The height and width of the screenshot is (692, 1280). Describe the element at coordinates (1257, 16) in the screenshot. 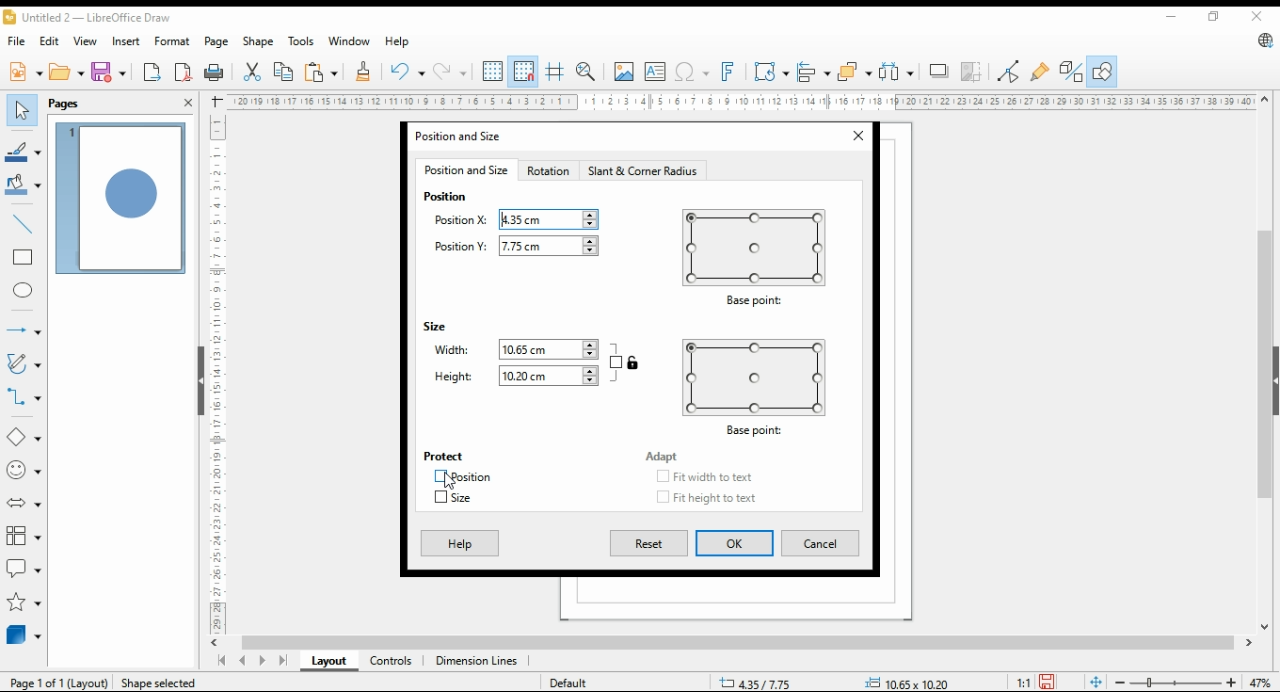

I see `close window` at that location.